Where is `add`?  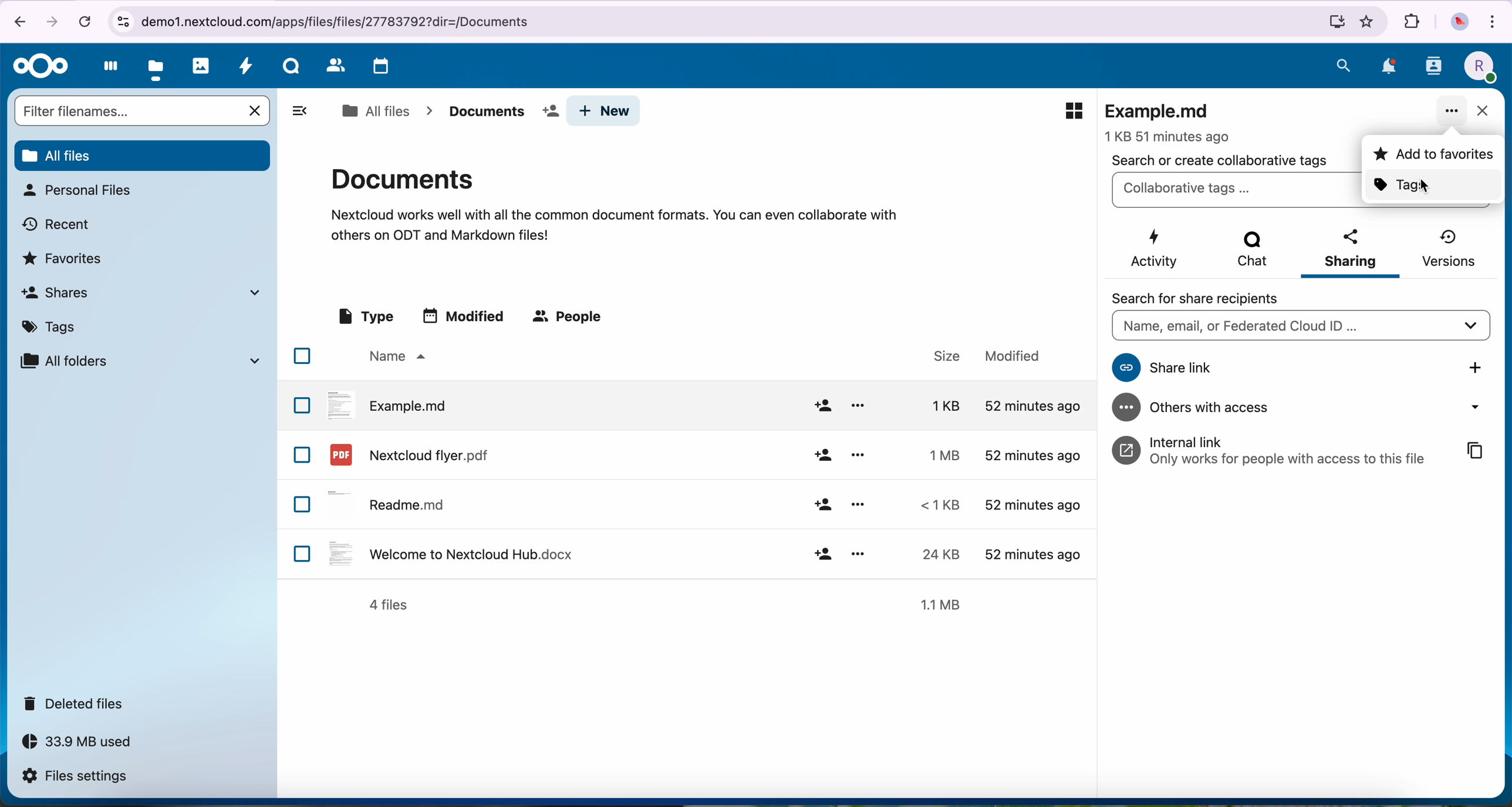
add is located at coordinates (822, 456).